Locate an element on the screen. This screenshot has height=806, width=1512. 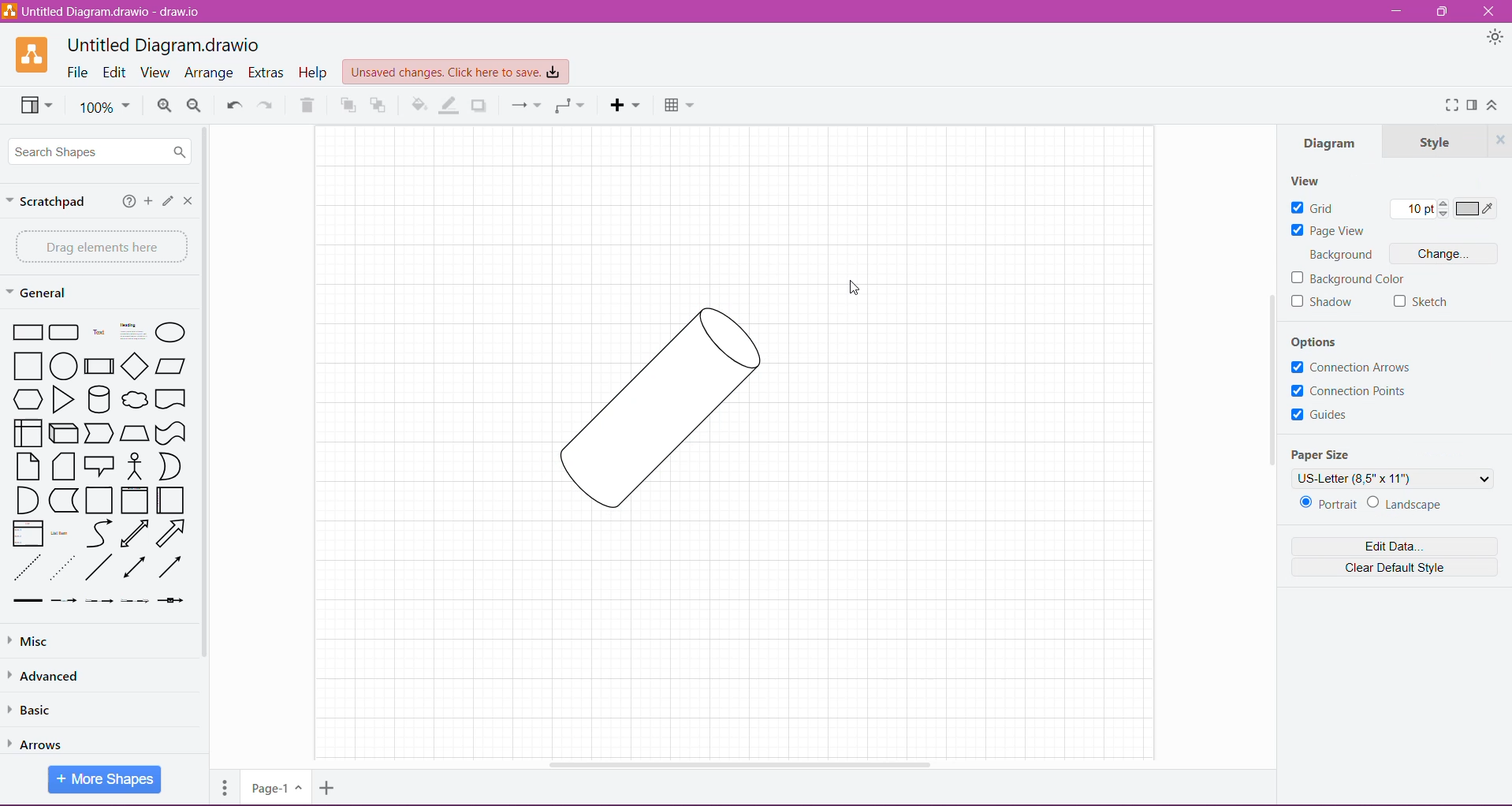
View is located at coordinates (157, 73).